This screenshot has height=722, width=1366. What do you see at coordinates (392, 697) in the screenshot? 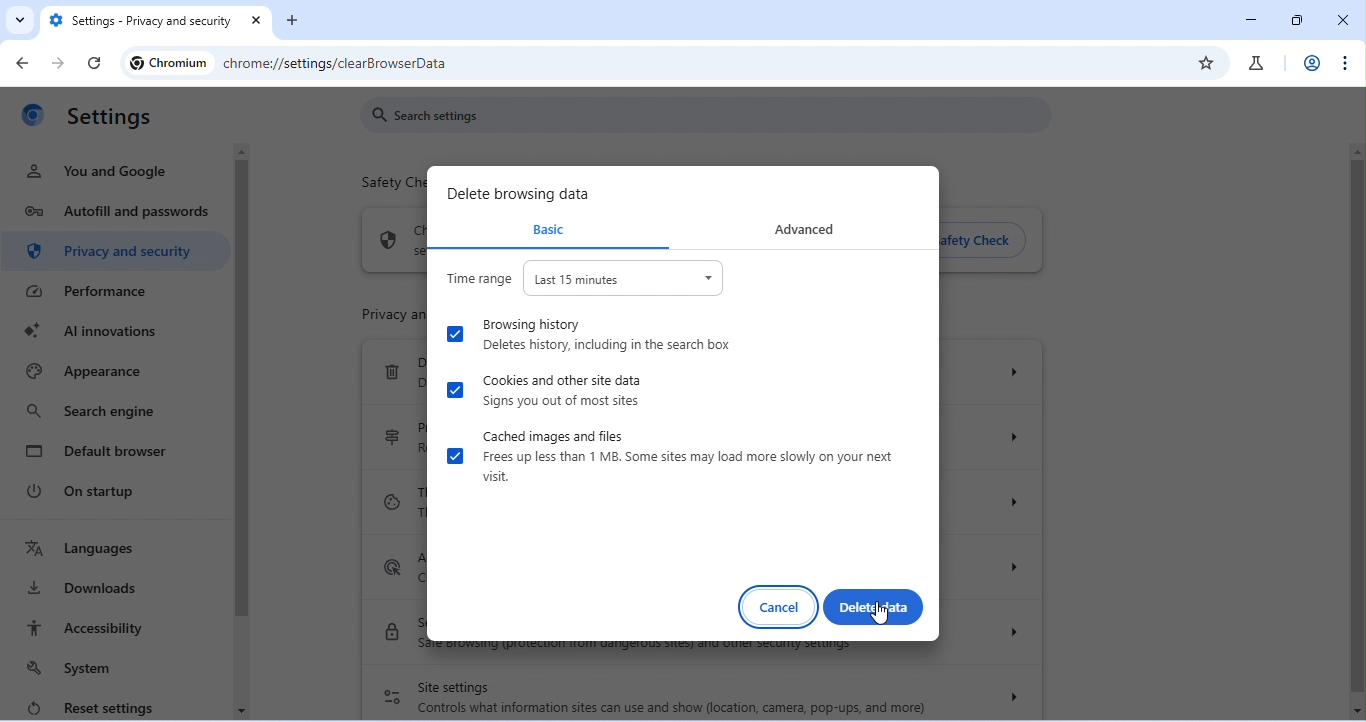
I see `site settings icon` at bounding box center [392, 697].